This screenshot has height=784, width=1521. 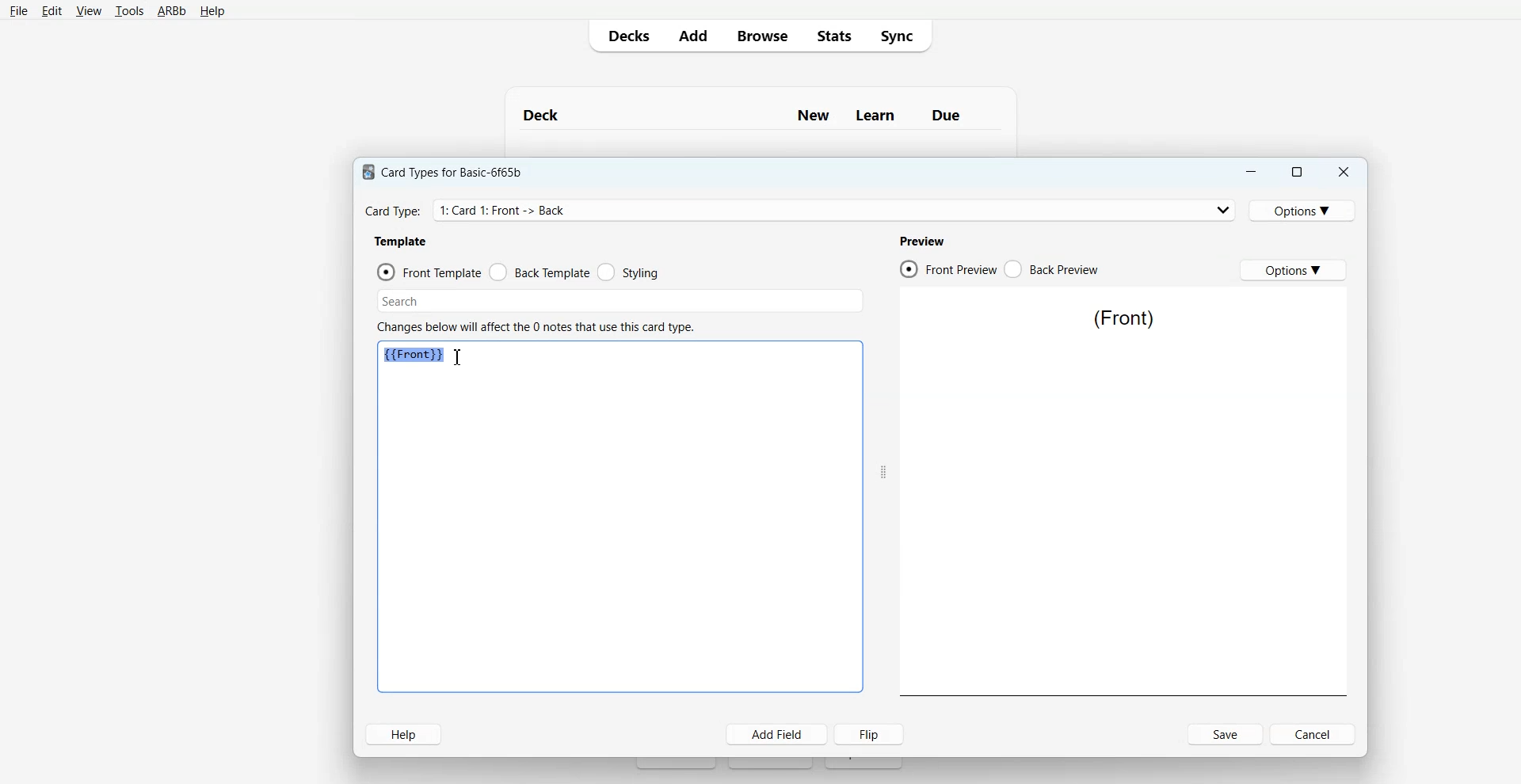 I want to click on Front Template, so click(x=429, y=271).